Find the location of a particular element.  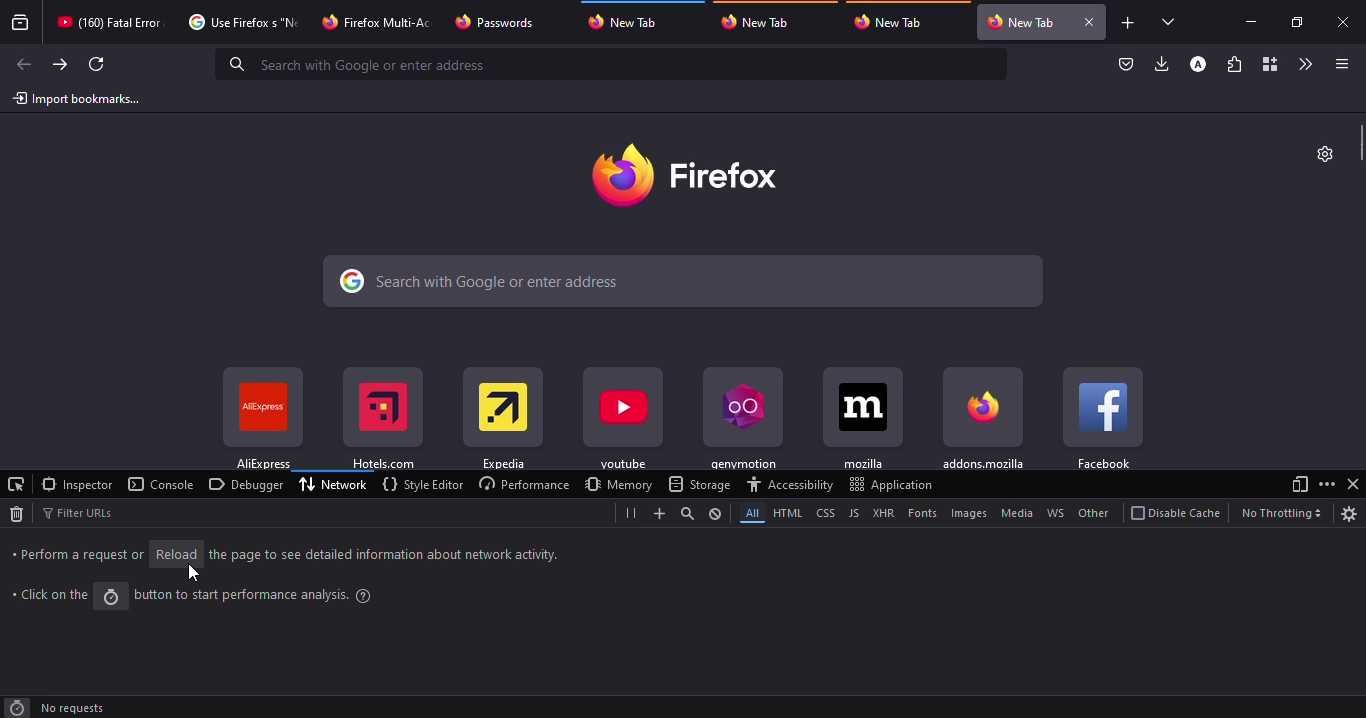

close is located at coordinates (1354, 484).